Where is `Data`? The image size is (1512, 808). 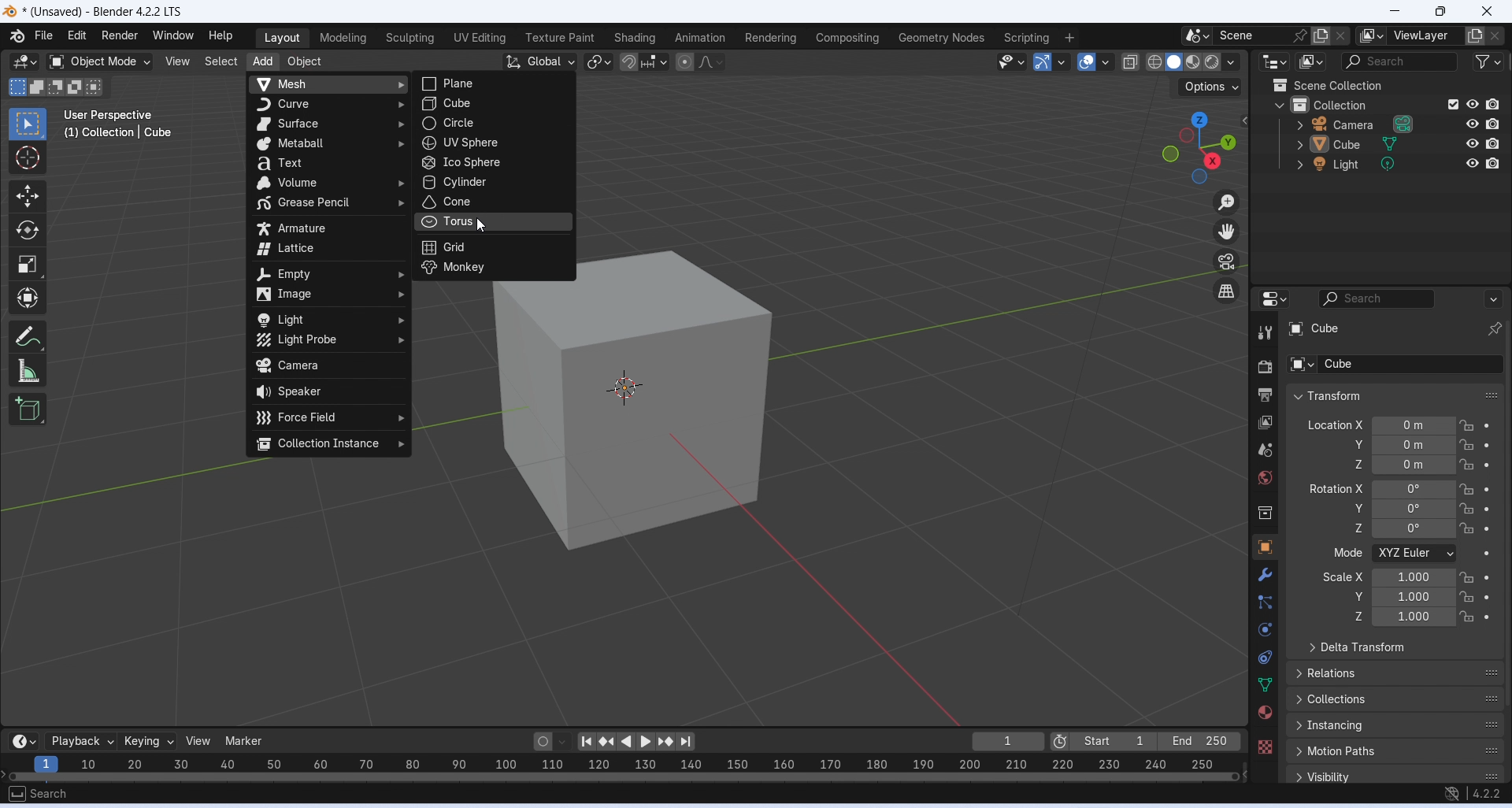 Data is located at coordinates (1266, 685).